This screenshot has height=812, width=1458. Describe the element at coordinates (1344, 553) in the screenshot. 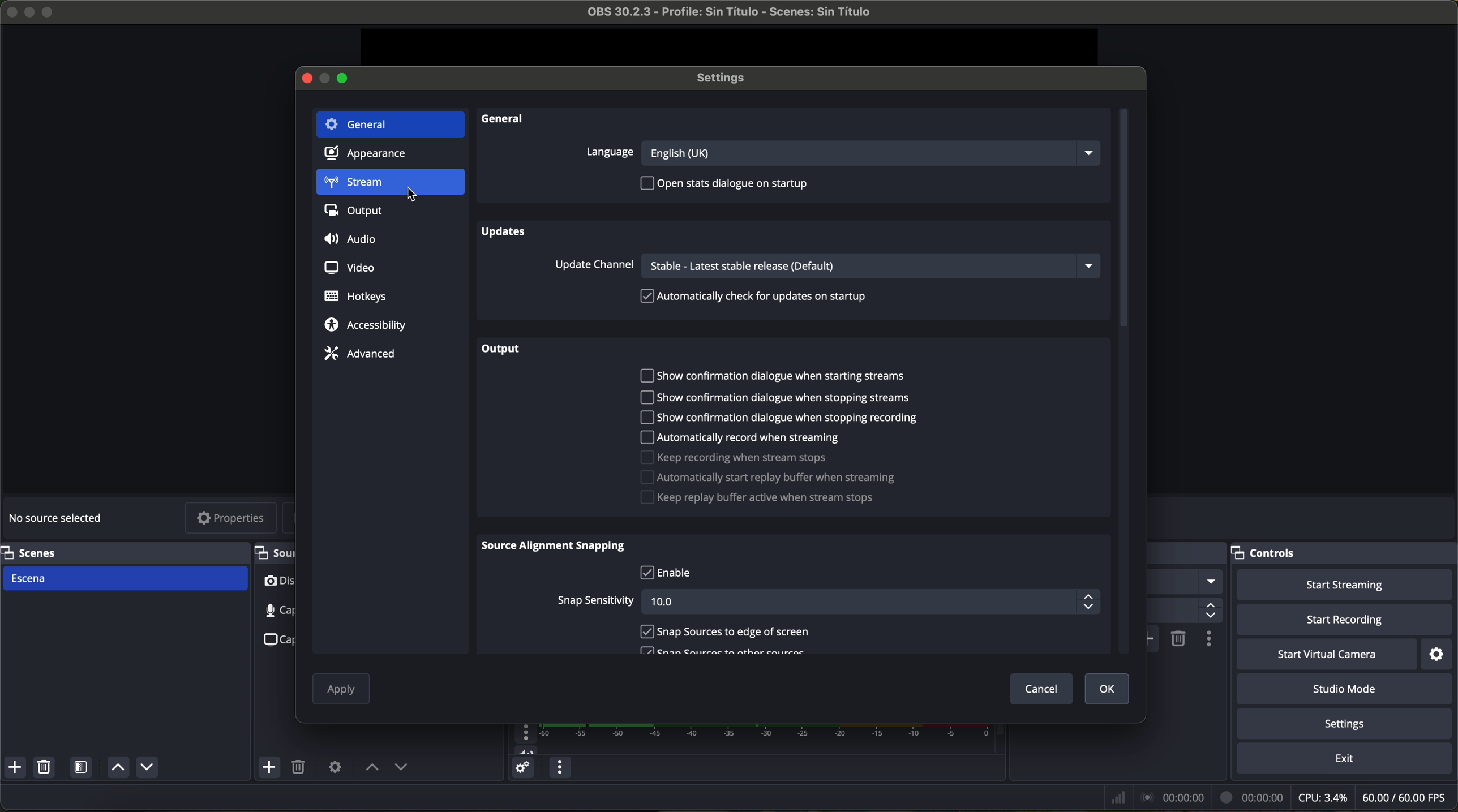

I see `controls` at that location.